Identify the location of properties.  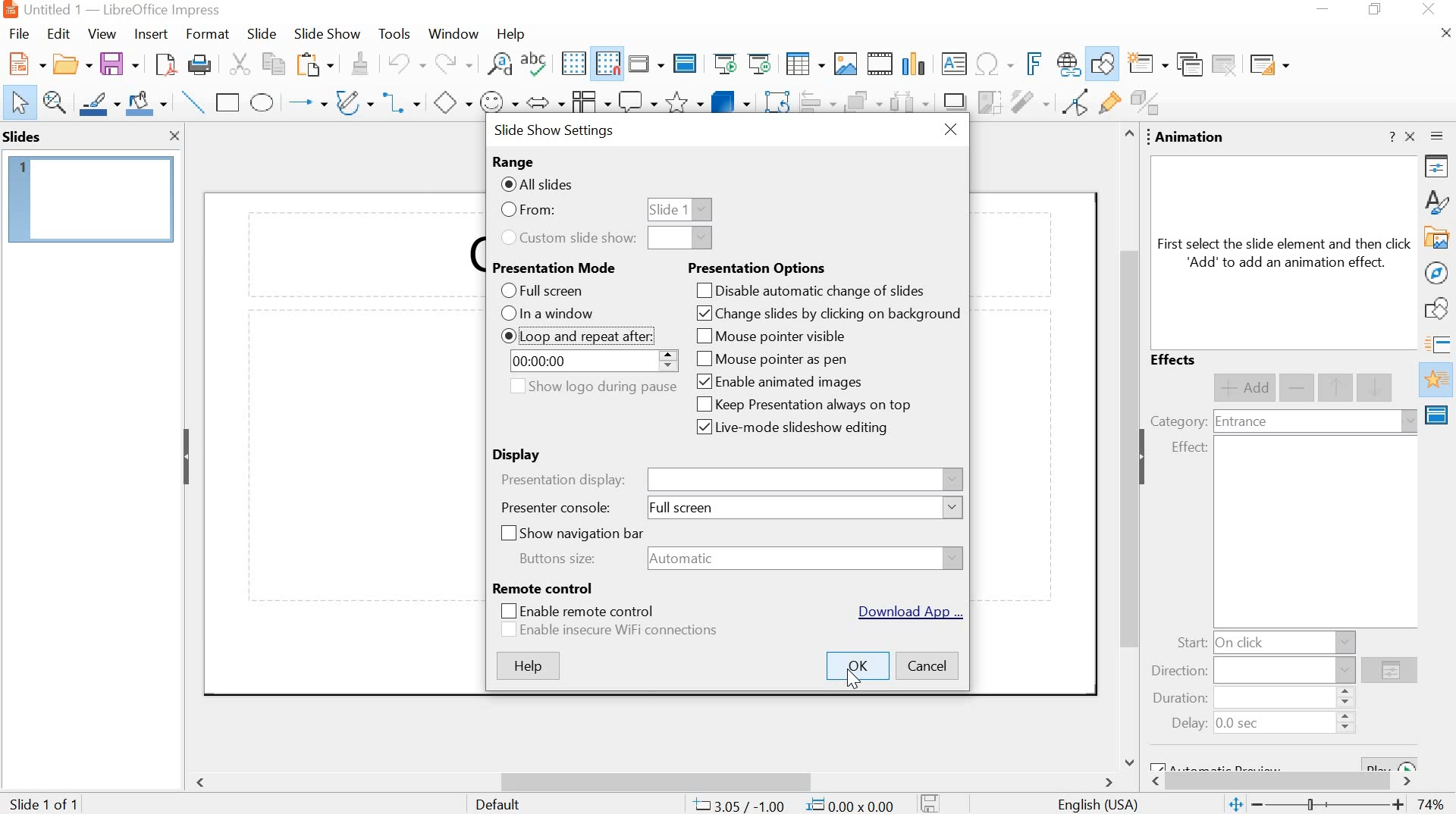
(1439, 169).